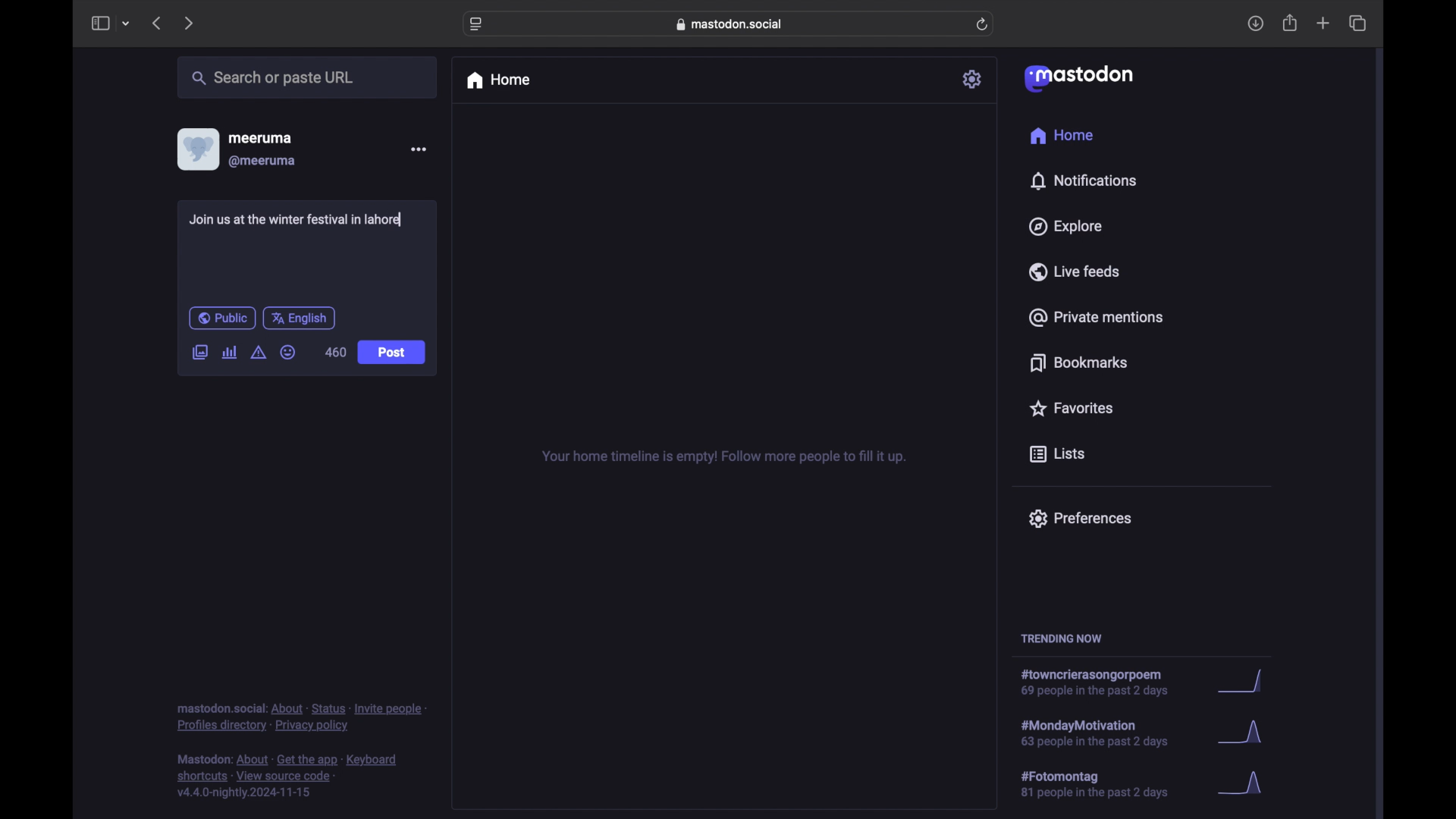 The image size is (1456, 819). I want to click on public, so click(221, 318).